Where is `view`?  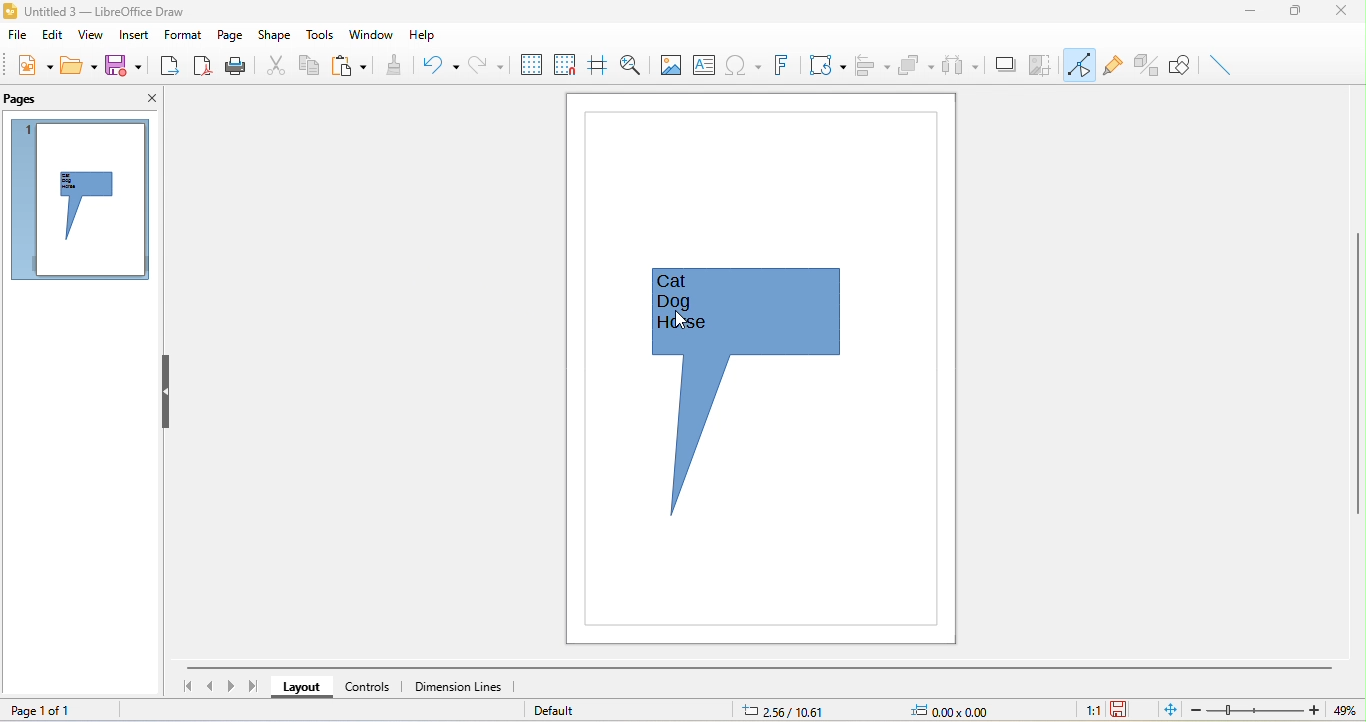 view is located at coordinates (91, 37).